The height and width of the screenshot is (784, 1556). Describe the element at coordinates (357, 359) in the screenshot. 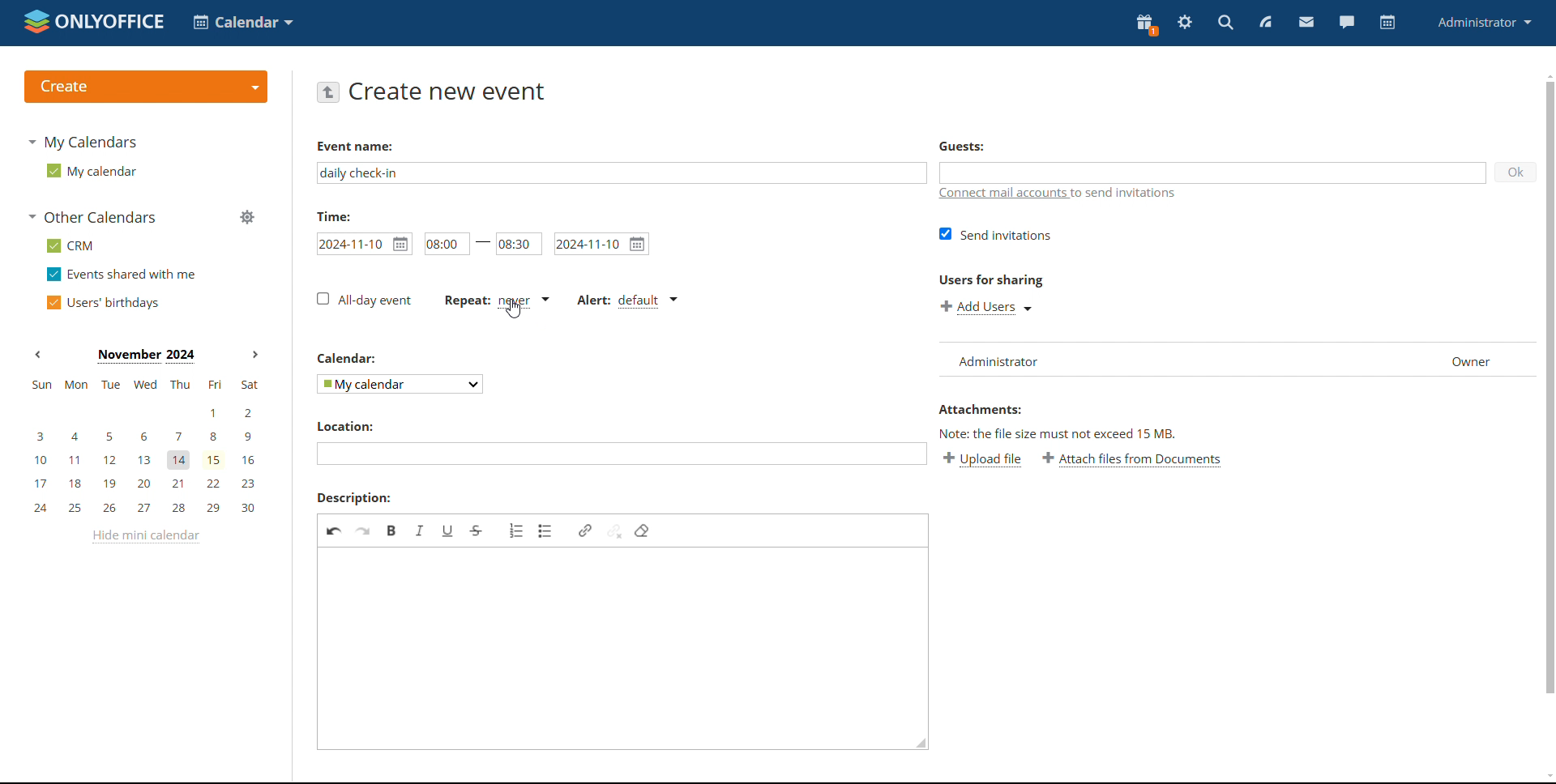

I see `calendar` at that location.